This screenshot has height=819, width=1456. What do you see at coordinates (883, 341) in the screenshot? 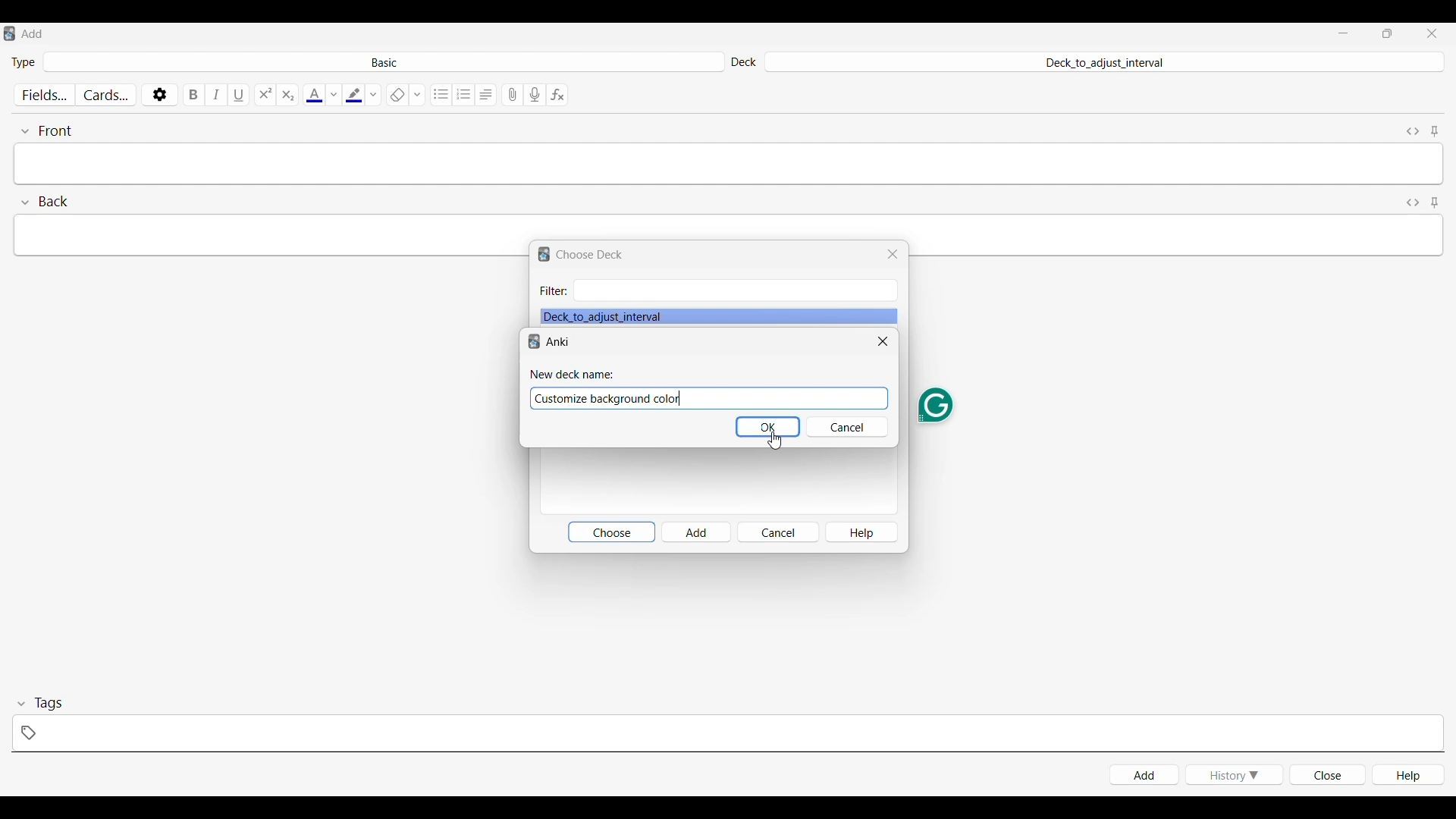
I see `Close window` at bounding box center [883, 341].